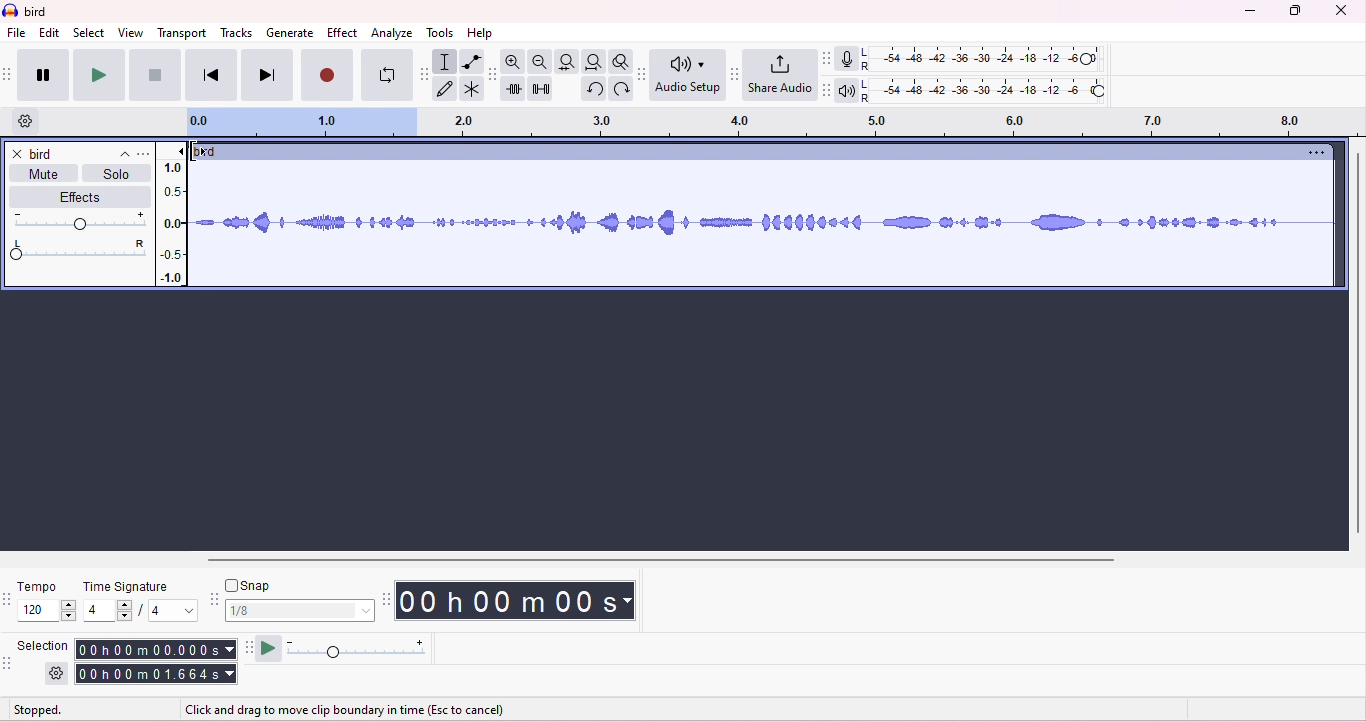 Image resolution: width=1366 pixels, height=722 pixels. Describe the element at coordinates (480, 33) in the screenshot. I see `help` at that location.